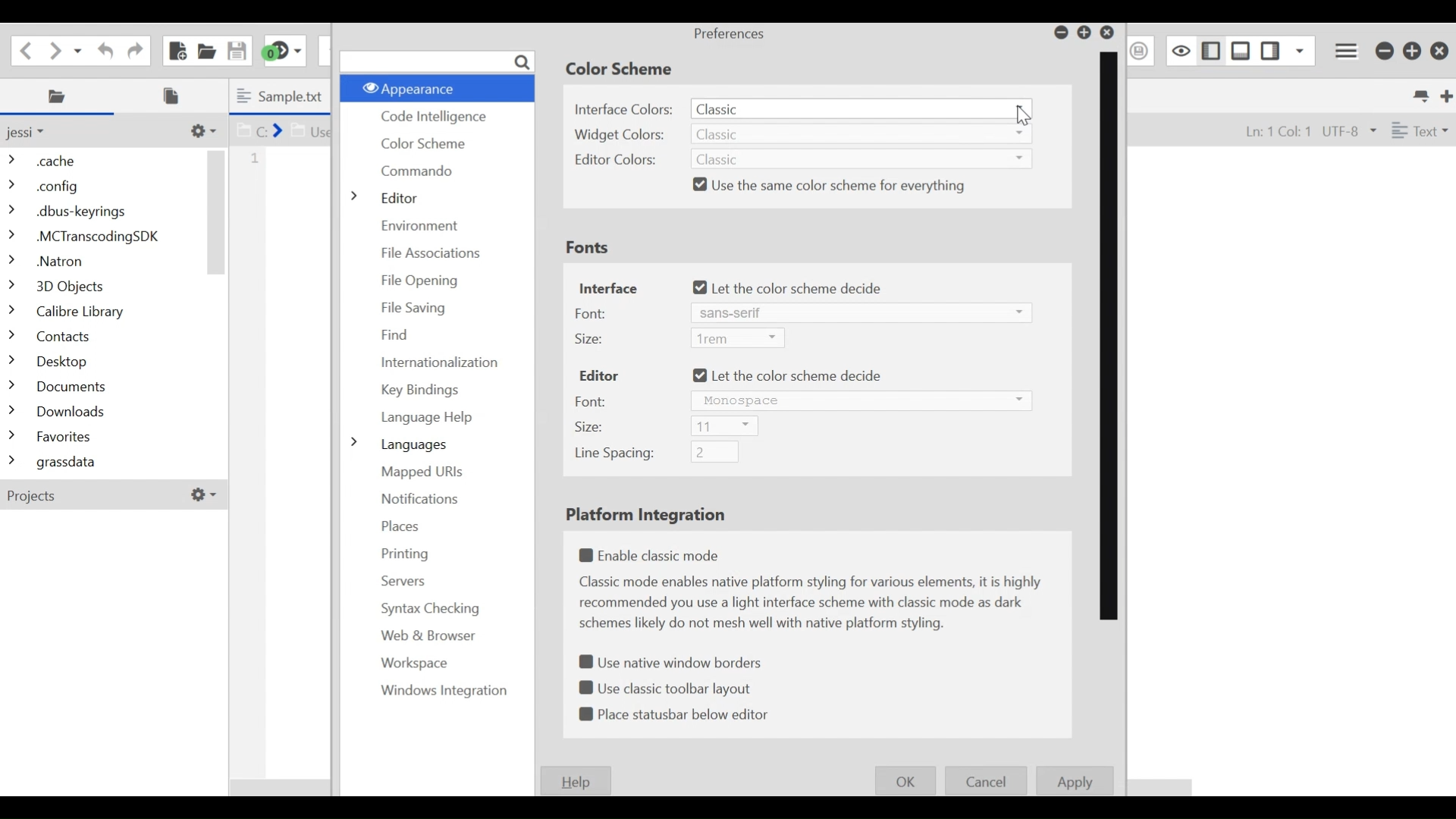 The image size is (1456, 819). I want to click on Application menu, so click(1348, 49).